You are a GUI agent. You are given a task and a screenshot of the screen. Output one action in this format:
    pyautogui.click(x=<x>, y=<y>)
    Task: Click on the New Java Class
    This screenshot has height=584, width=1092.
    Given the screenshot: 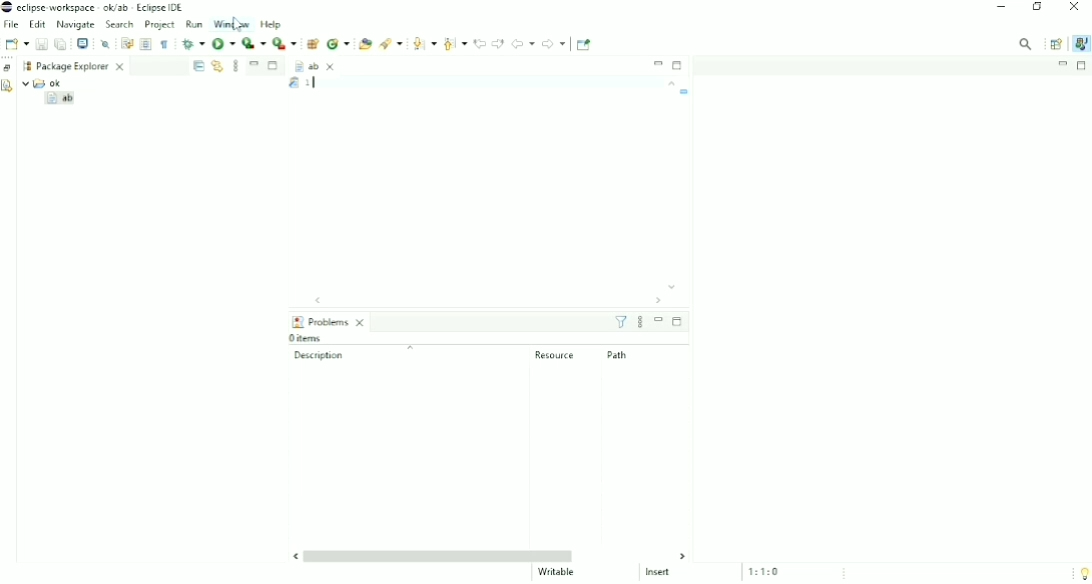 What is the action you would take?
    pyautogui.click(x=338, y=43)
    